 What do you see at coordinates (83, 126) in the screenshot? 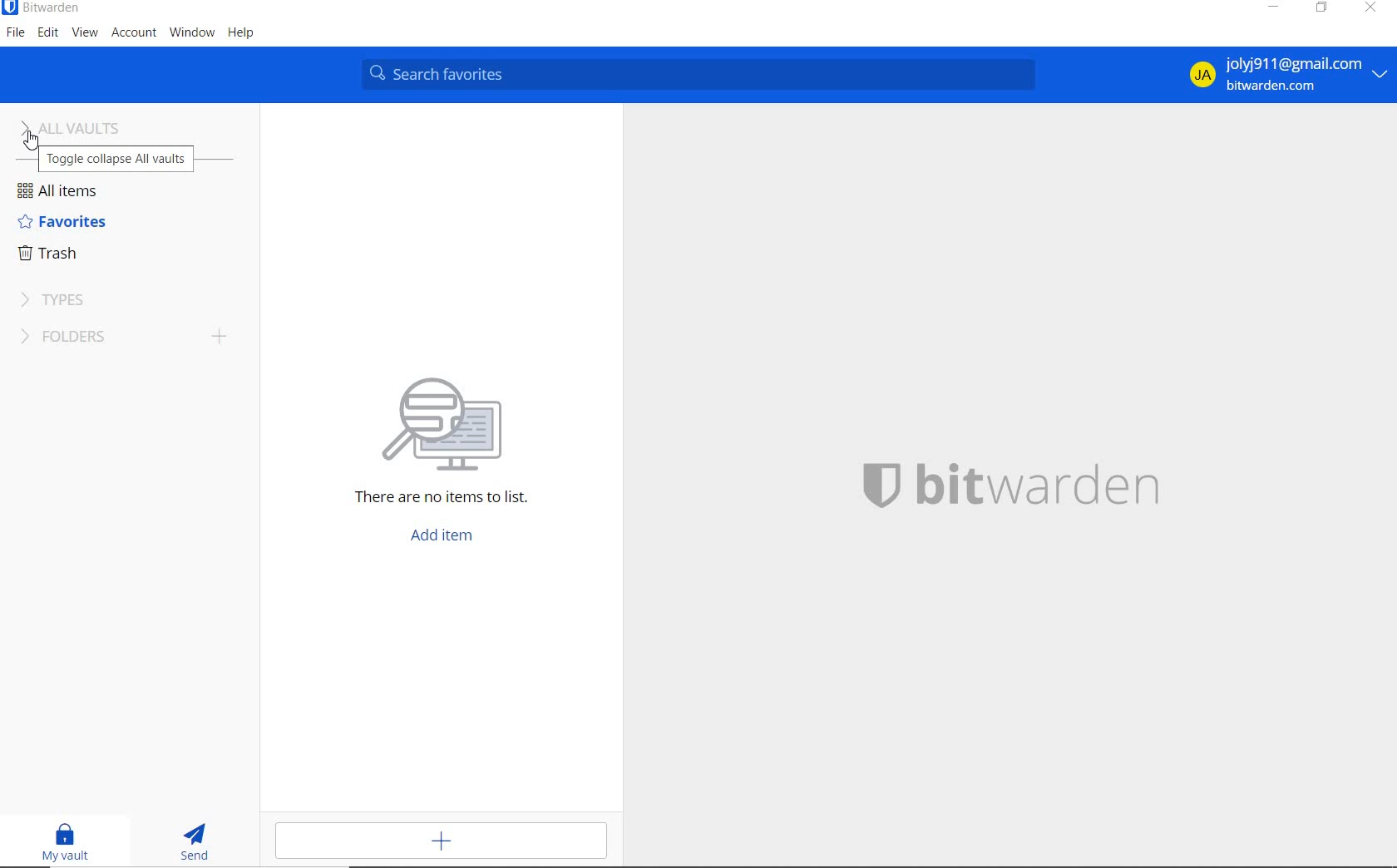
I see `ALL VAULTS` at bounding box center [83, 126].